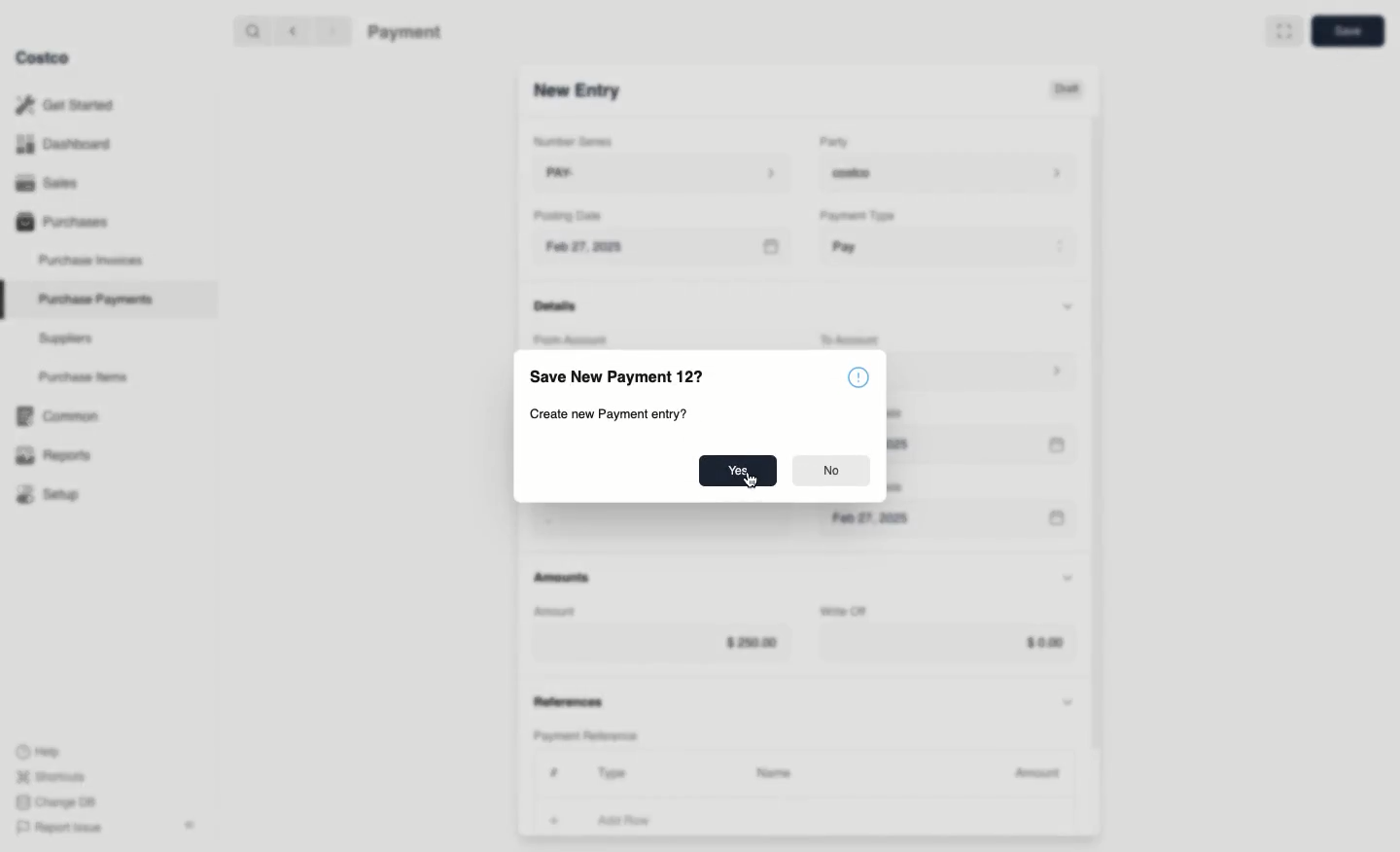 This screenshot has width=1400, height=852. What do you see at coordinates (54, 496) in the screenshot?
I see `Setup` at bounding box center [54, 496].